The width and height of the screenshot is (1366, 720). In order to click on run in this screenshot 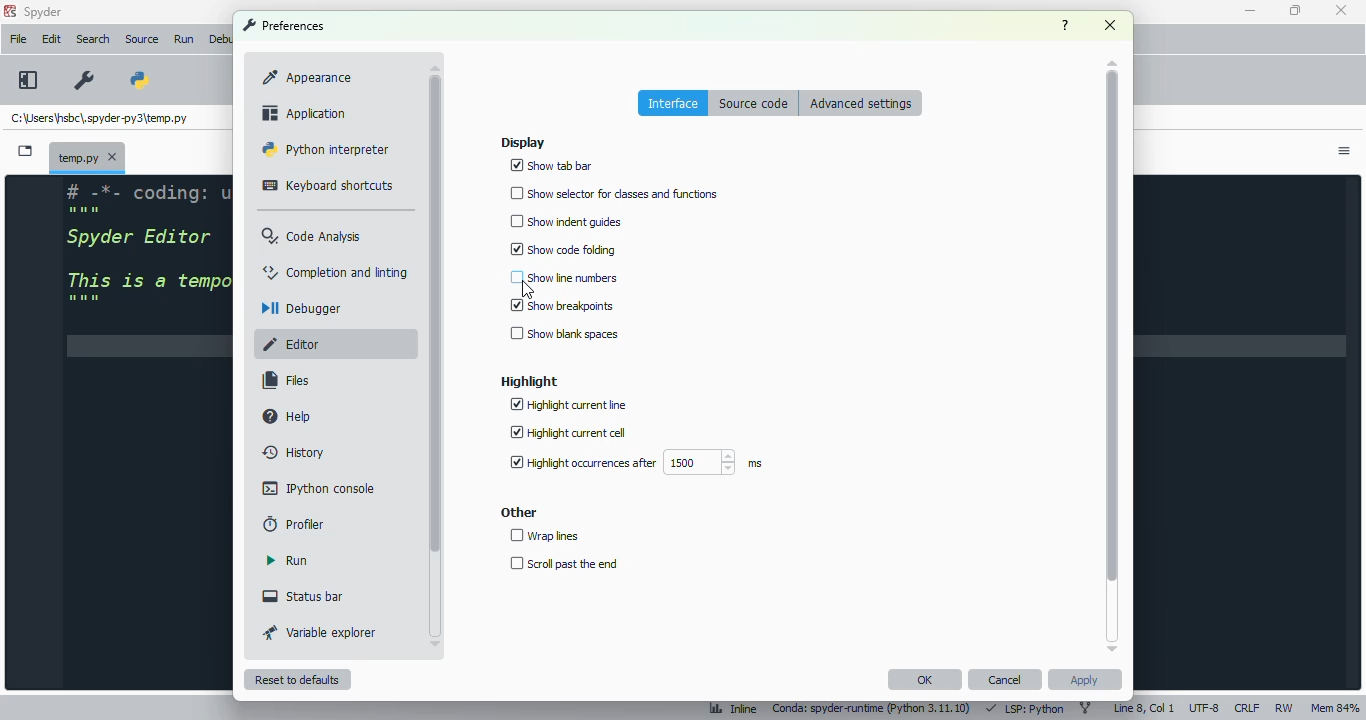, I will do `click(184, 40)`.